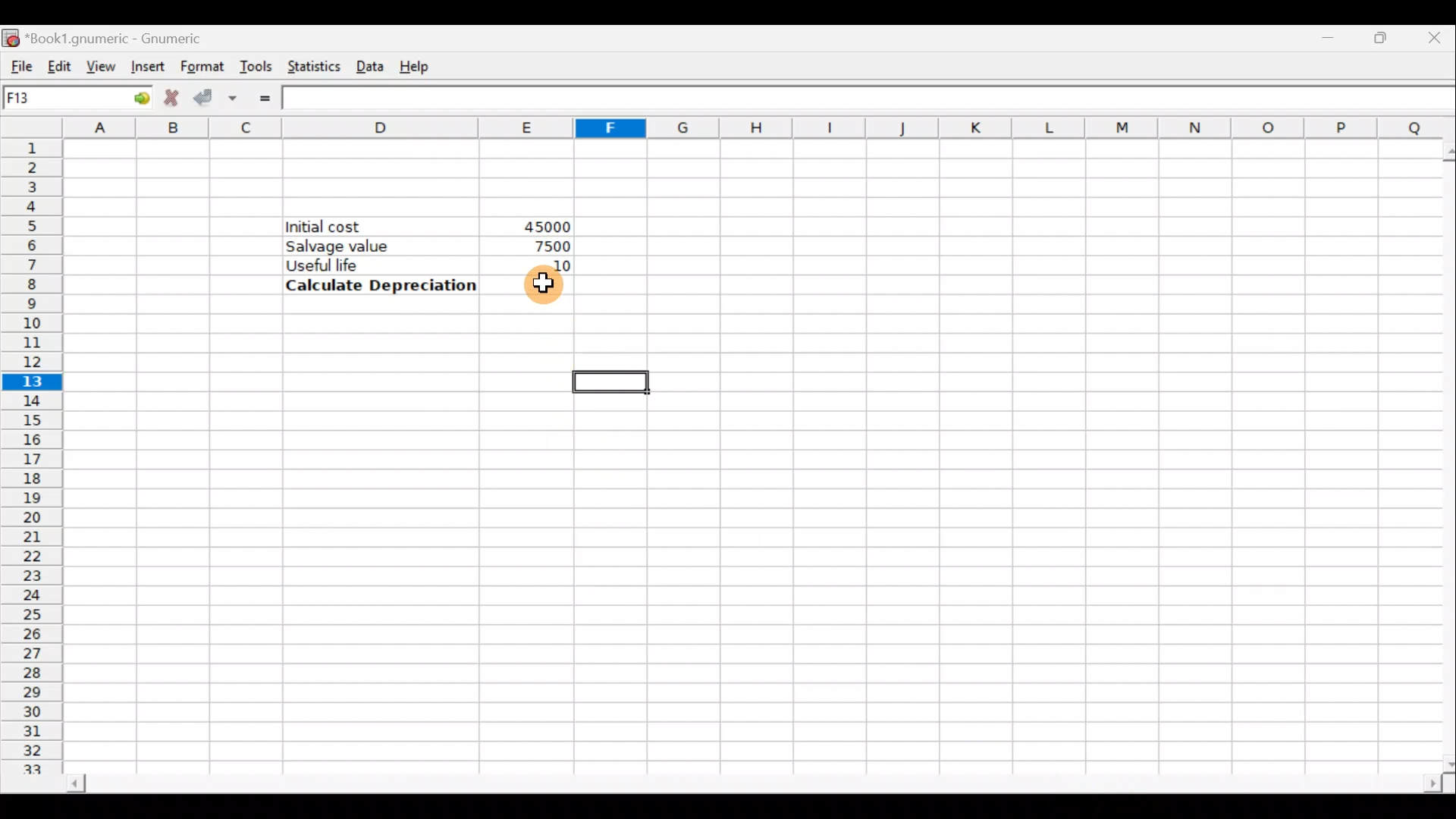  Describe the element at coordinates (315, 65) in the screenshot. I see `Statistics` at that location.